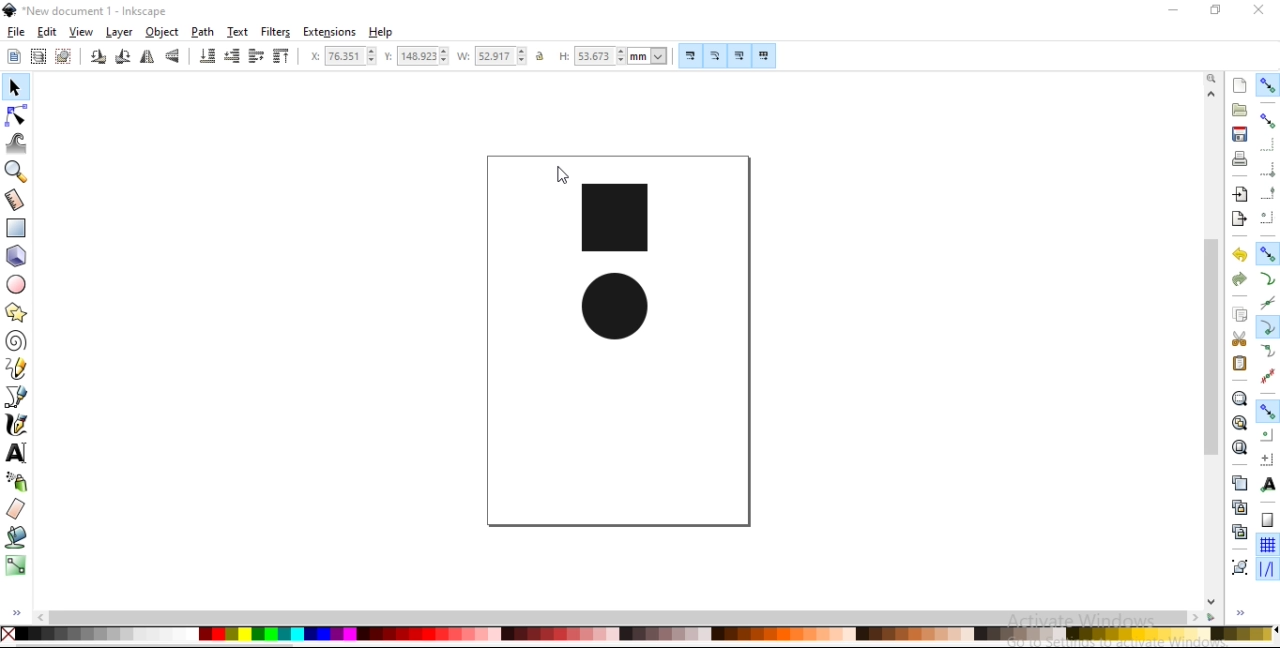  Describe the element at coordinates (207, 57) in the screenshot. I see `lower selection to bottom` at that location.